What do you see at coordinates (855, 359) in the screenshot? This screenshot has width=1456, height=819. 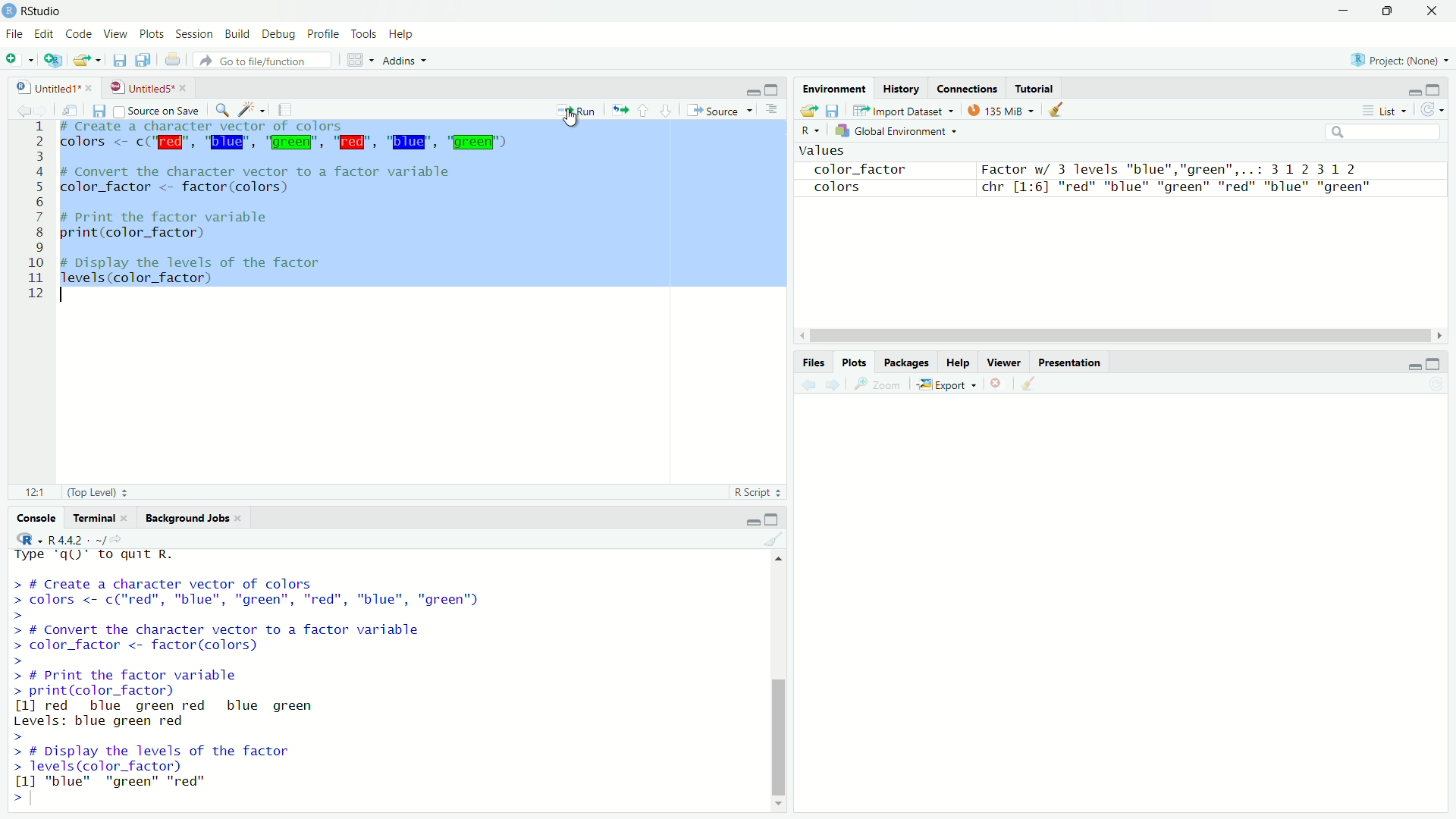 I see `Plots` at bounding box center [855, 359].